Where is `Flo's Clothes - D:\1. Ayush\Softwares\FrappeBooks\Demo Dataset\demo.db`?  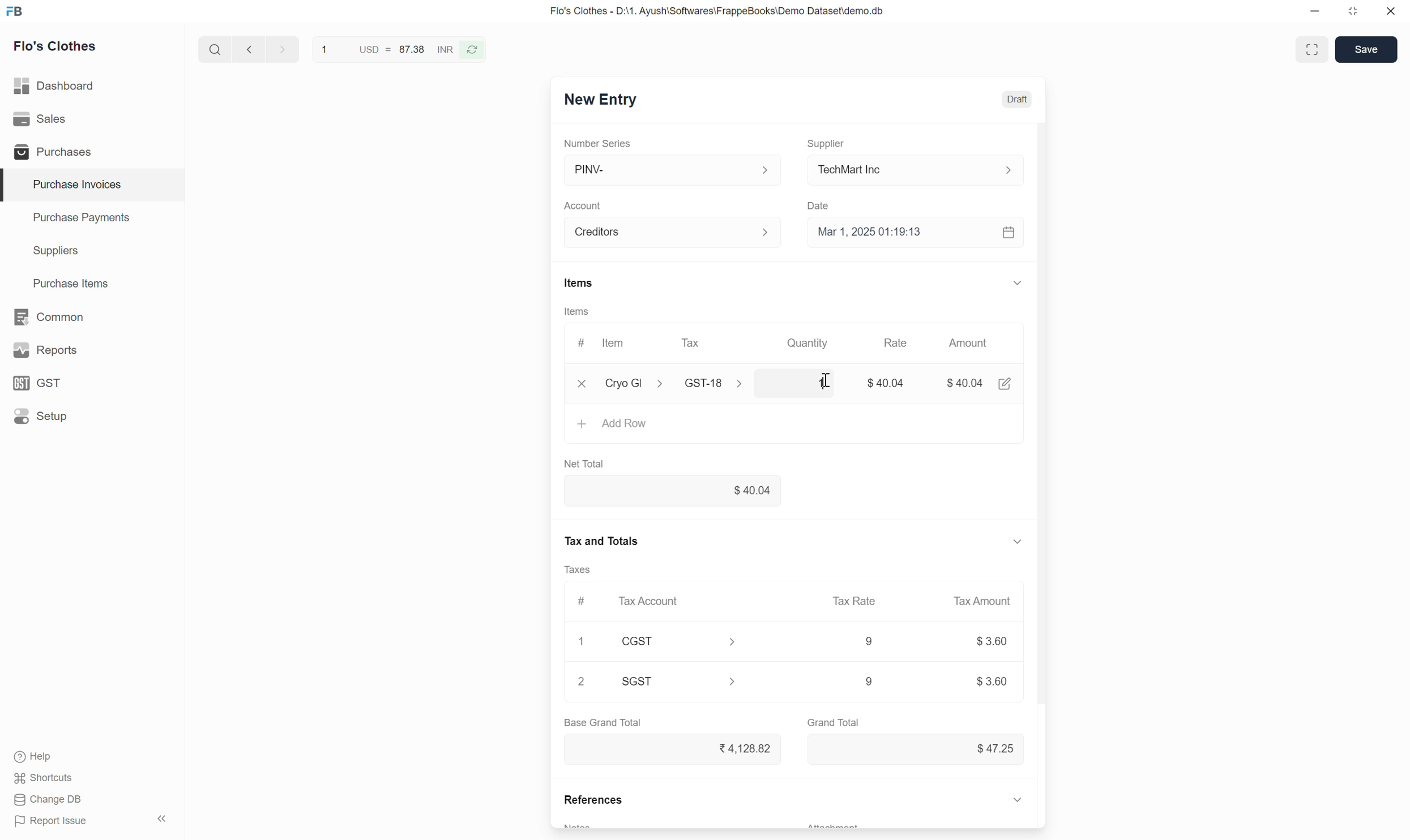
Flo's Clothes - D:\1. Ayush\Softwares\FrappeBooks\Demo Dataset\demo.db is located at coordinates (716, 11).